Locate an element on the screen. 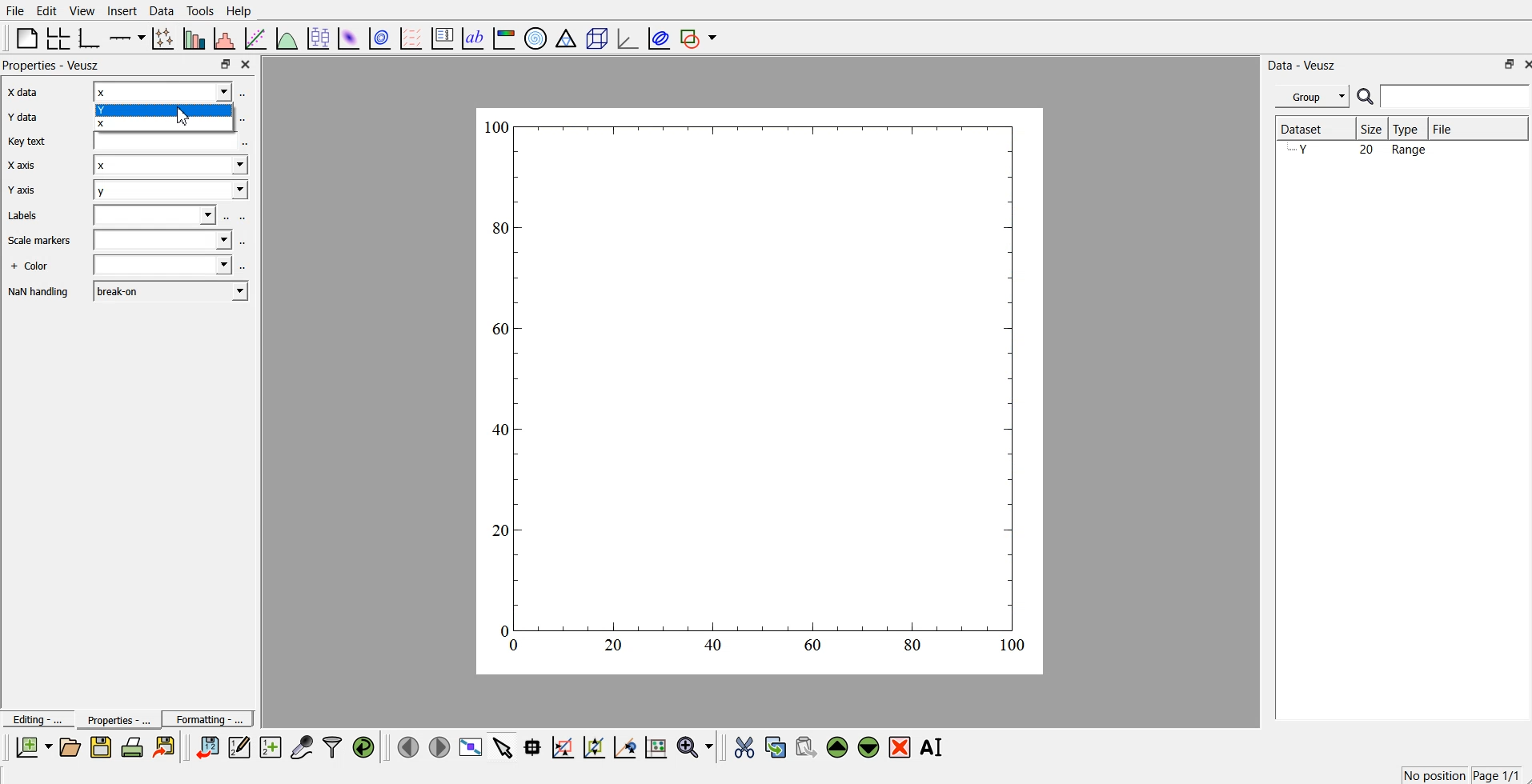 The image size is (1532, 784). Data is located at coordinates (162, 10).